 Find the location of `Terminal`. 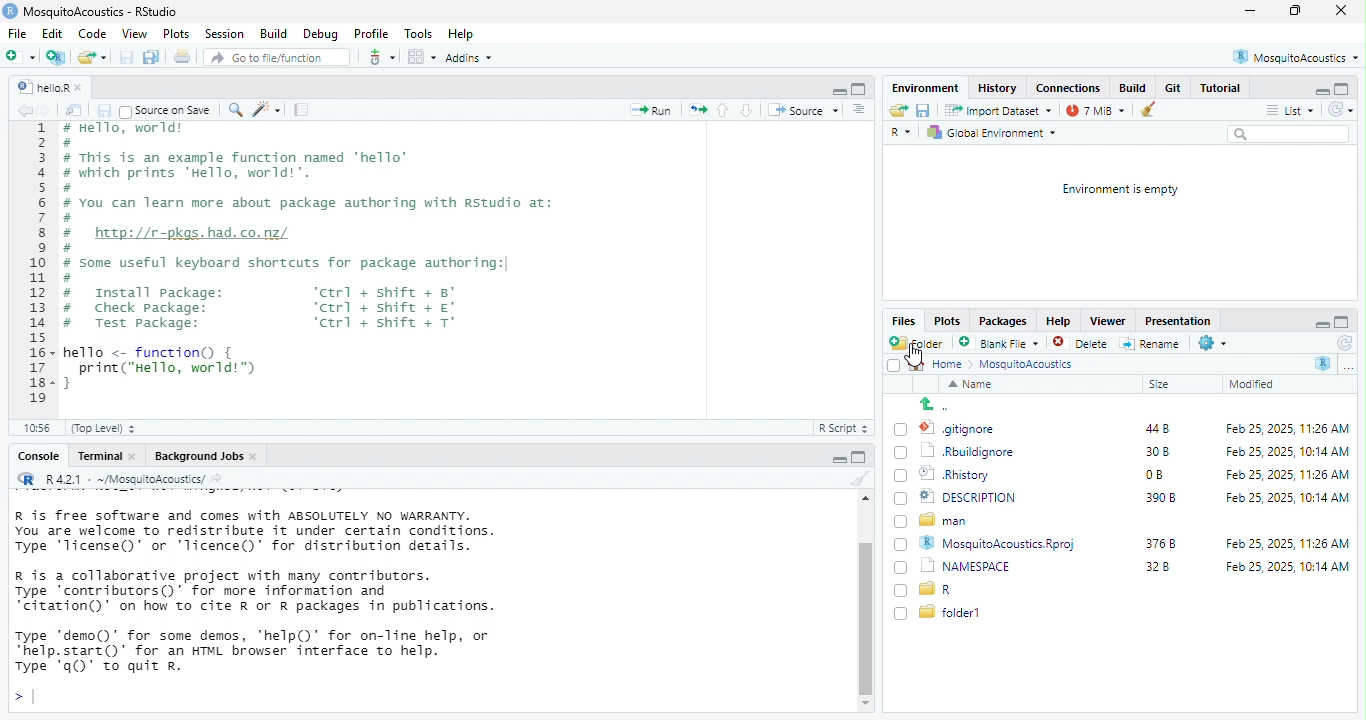

Terminal is located at coordinates (99, 457).